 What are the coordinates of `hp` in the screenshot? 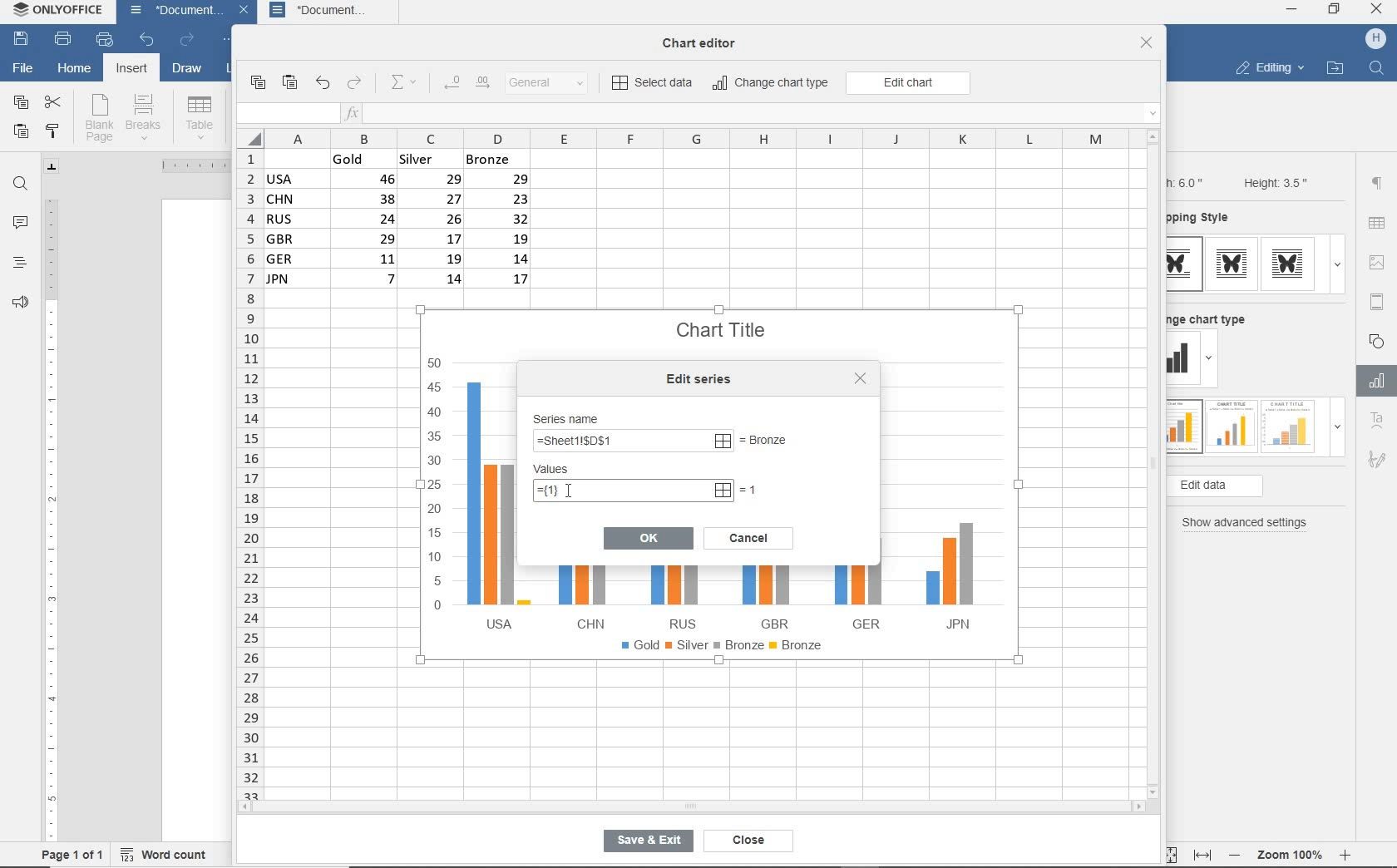 It's located at (1376, 39).